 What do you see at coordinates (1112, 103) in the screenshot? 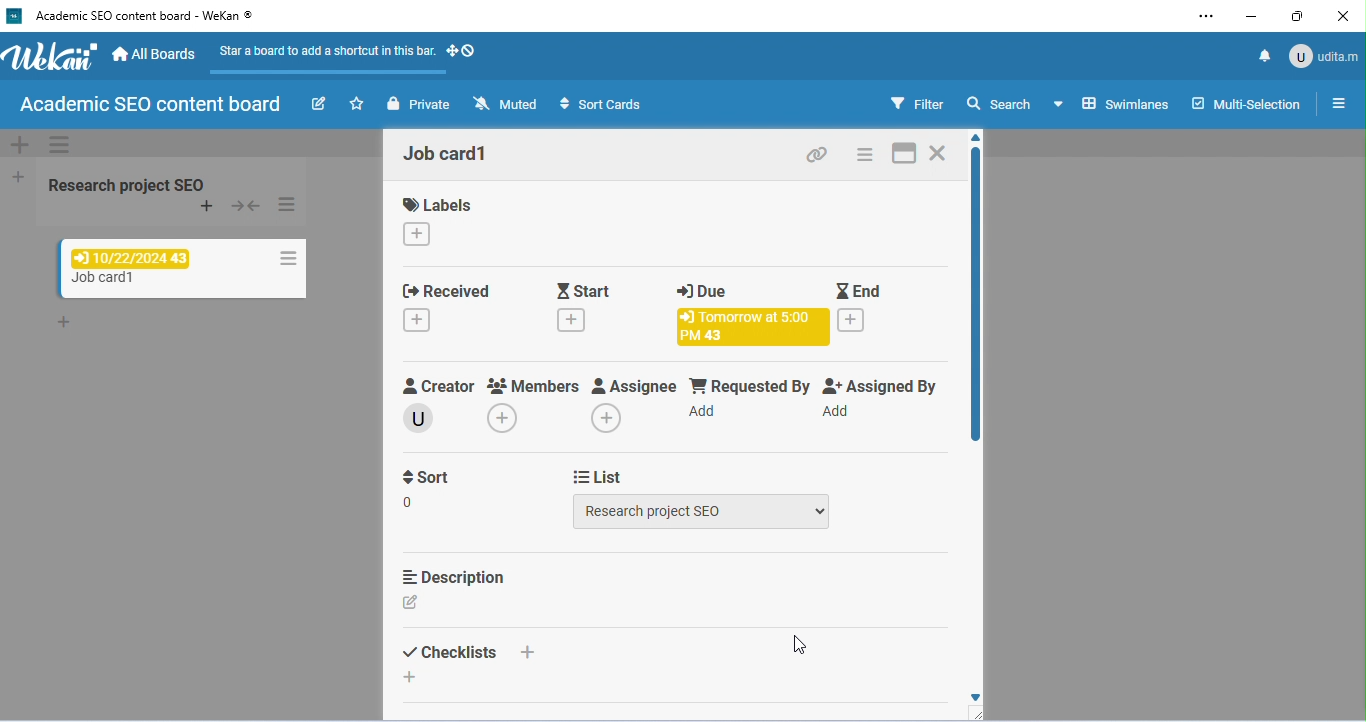
I see `board view` at bounding box center [1112, 103].